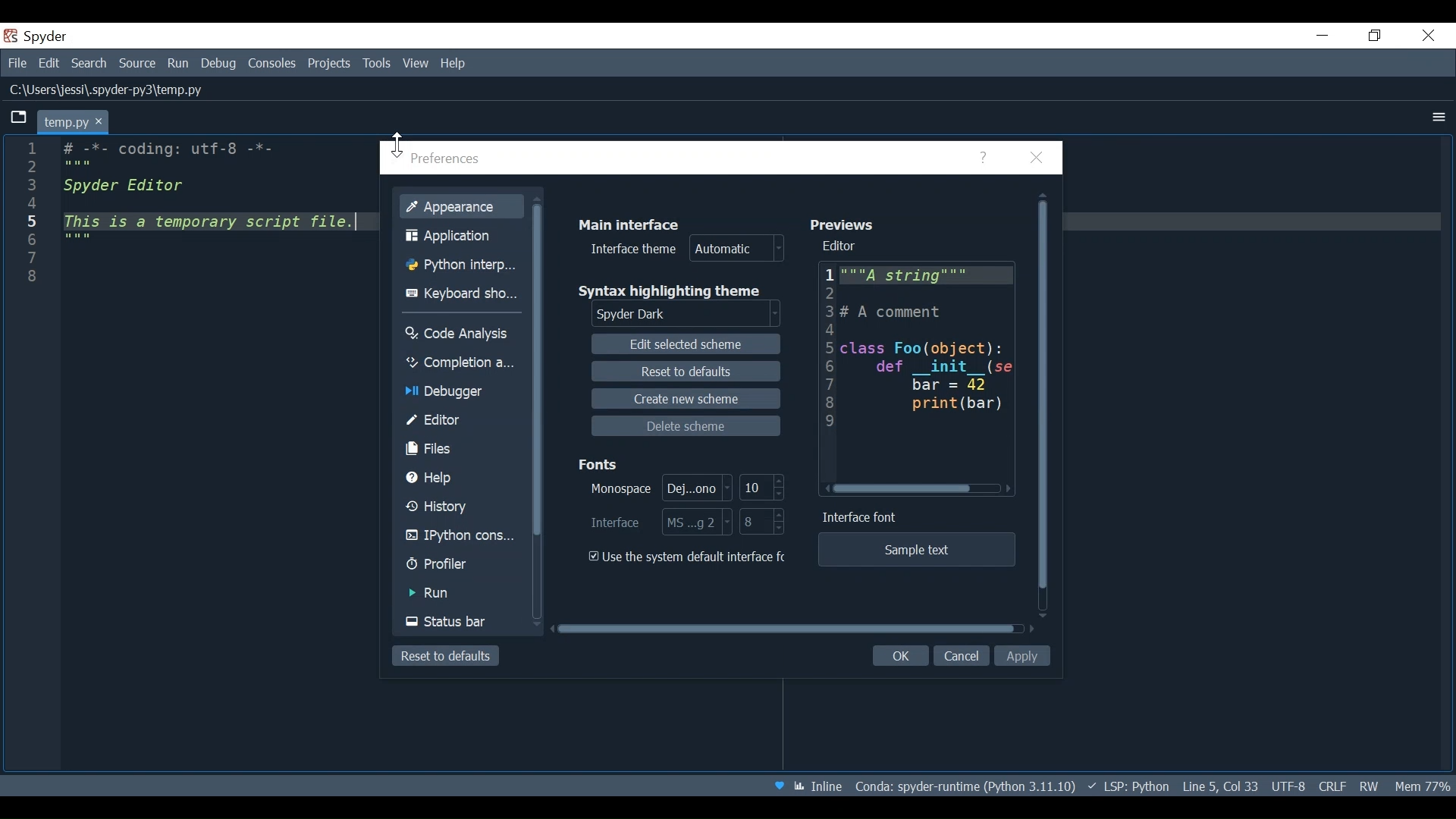  Describe the element at coordinates (88, 64) in the screenshot. I see `Search` at that location.